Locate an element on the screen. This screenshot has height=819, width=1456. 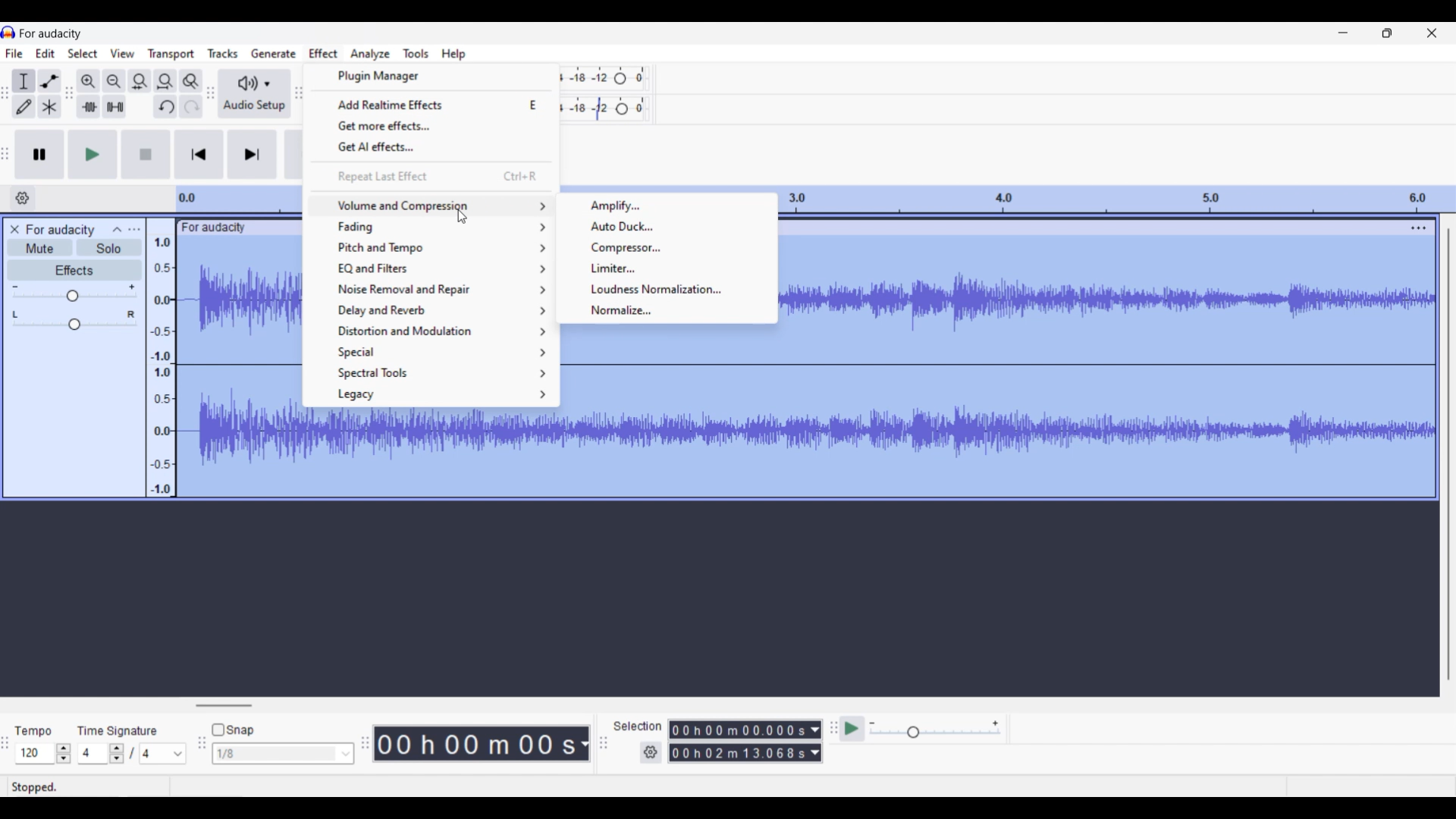
Select menu is located at coordinates (83, 53).